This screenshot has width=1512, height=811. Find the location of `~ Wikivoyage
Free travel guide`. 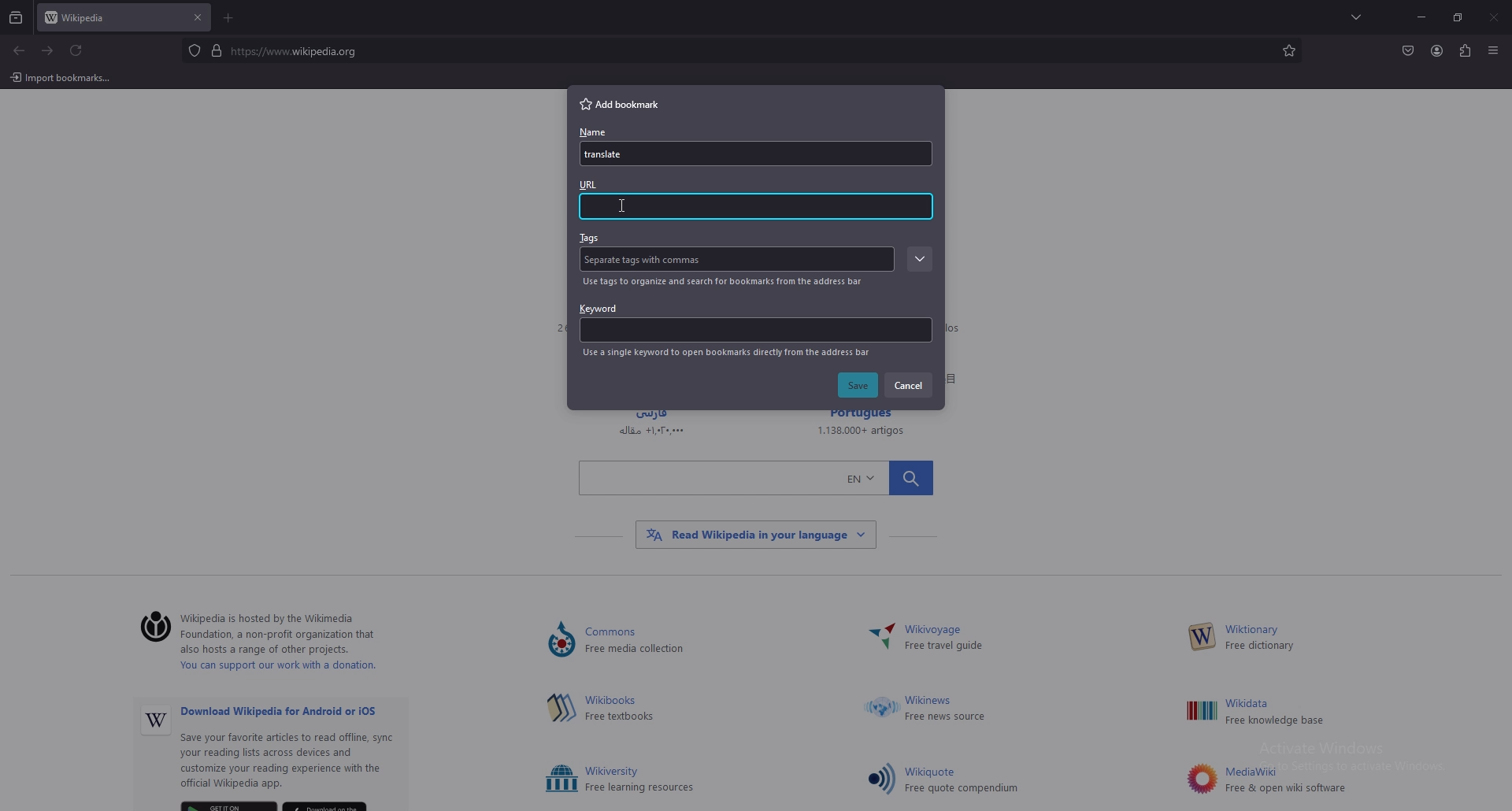

~ Wikivoyage
Free travel guide is located at coordinates (951, 639).